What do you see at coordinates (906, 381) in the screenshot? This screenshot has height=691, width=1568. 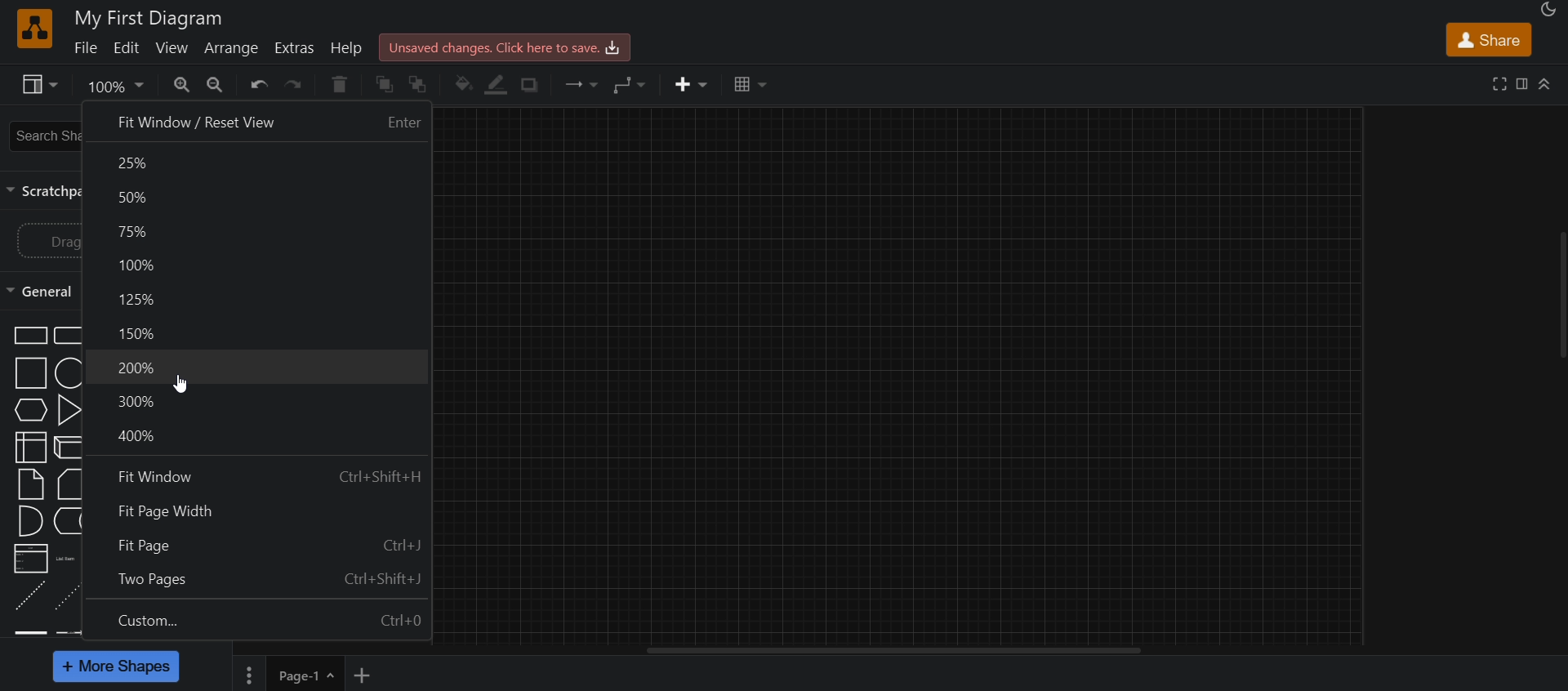 I see `canvas` at bounding box center [906, 381].